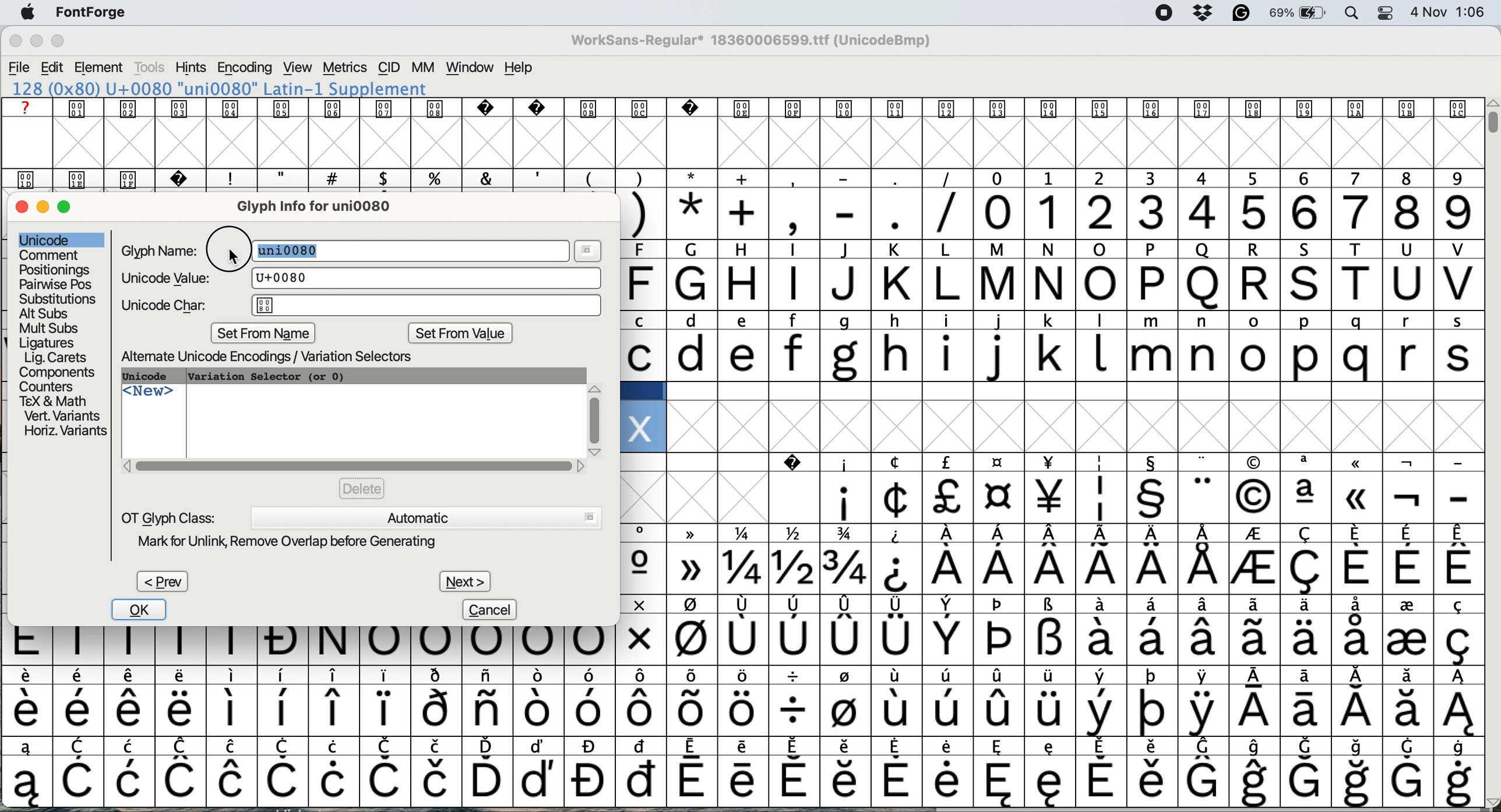 This screenshot has height=812, width=1501. What do you see at coordinates (1038, 252) in the screenshot?
I see `special characters and text` at bounding box center [1038, 252].